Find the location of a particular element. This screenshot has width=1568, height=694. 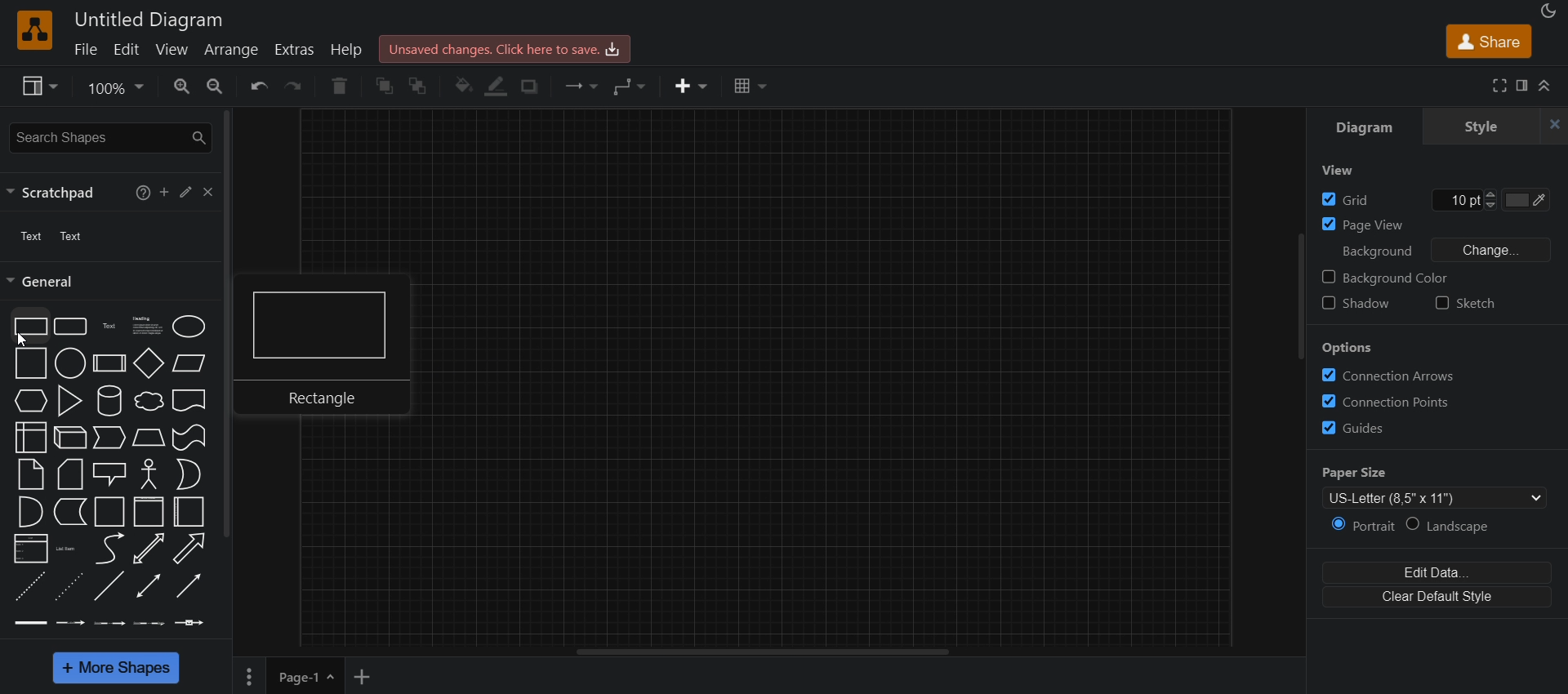

actor is located at coordinates (149, 474).